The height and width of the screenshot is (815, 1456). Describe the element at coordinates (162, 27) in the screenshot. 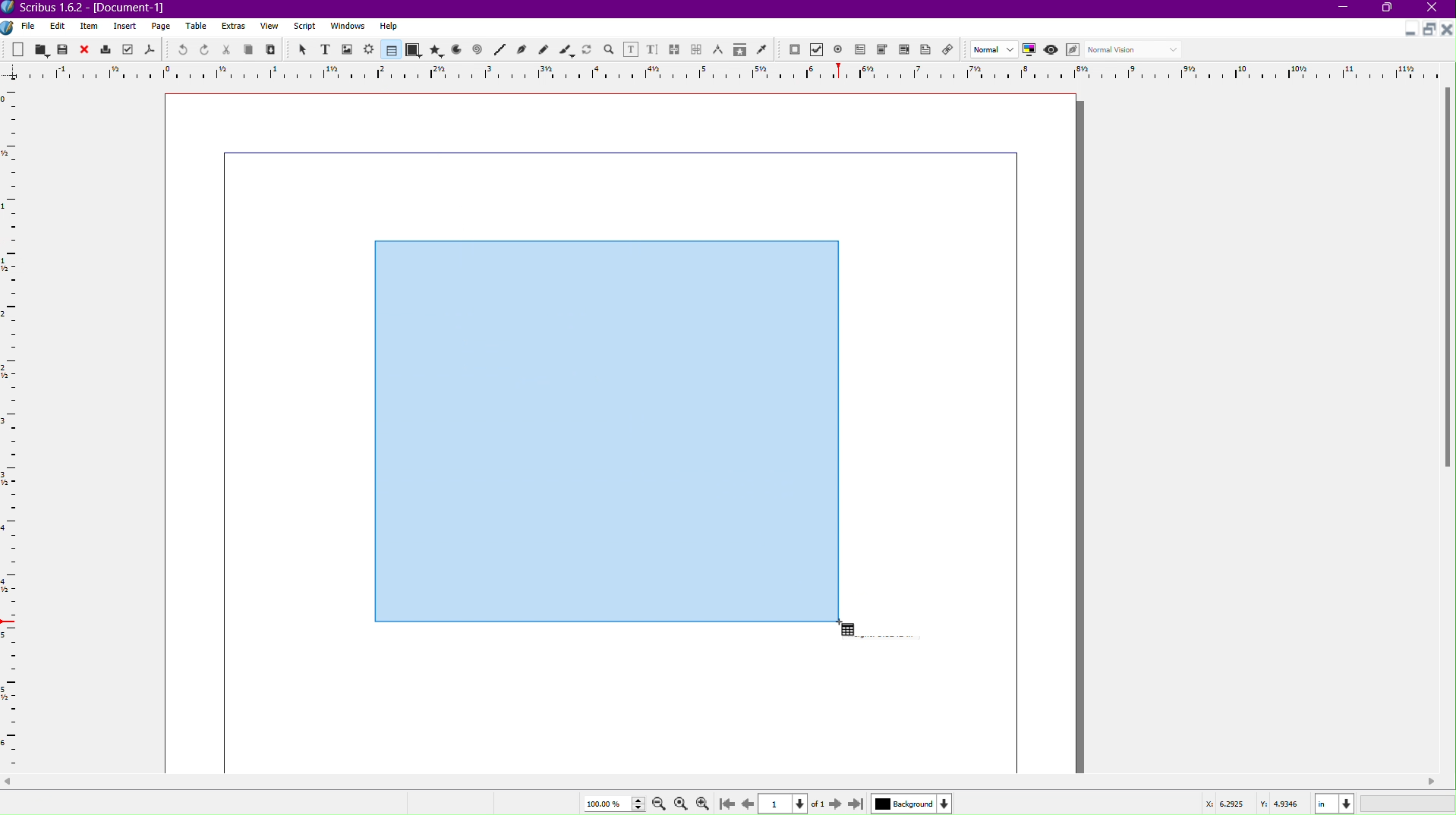

I see `Page` at that location.